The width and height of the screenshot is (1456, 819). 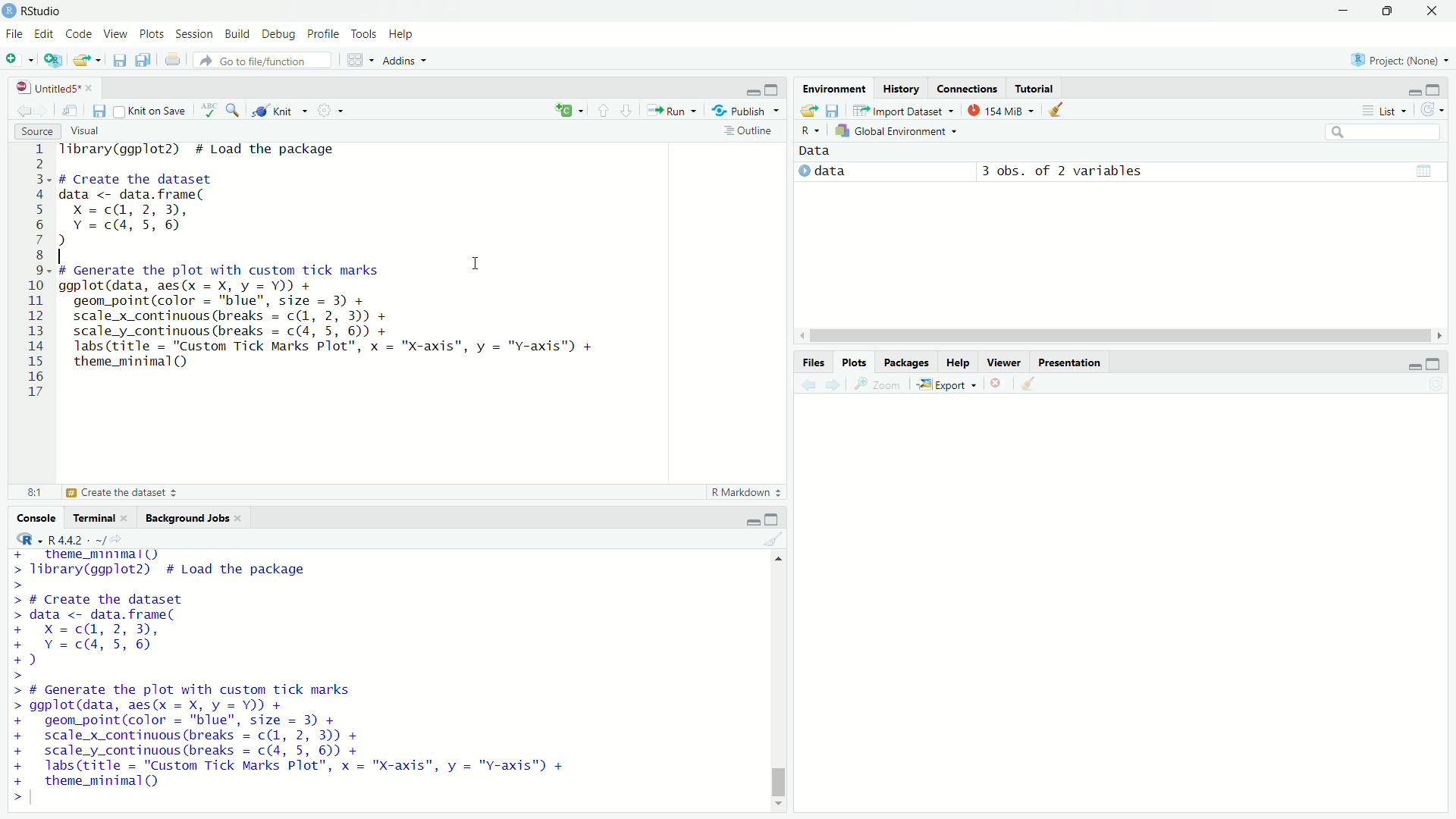 What do you see at coordinates (32, 131) in the screenshot?
I see `source` at bounding box center [32, 131].